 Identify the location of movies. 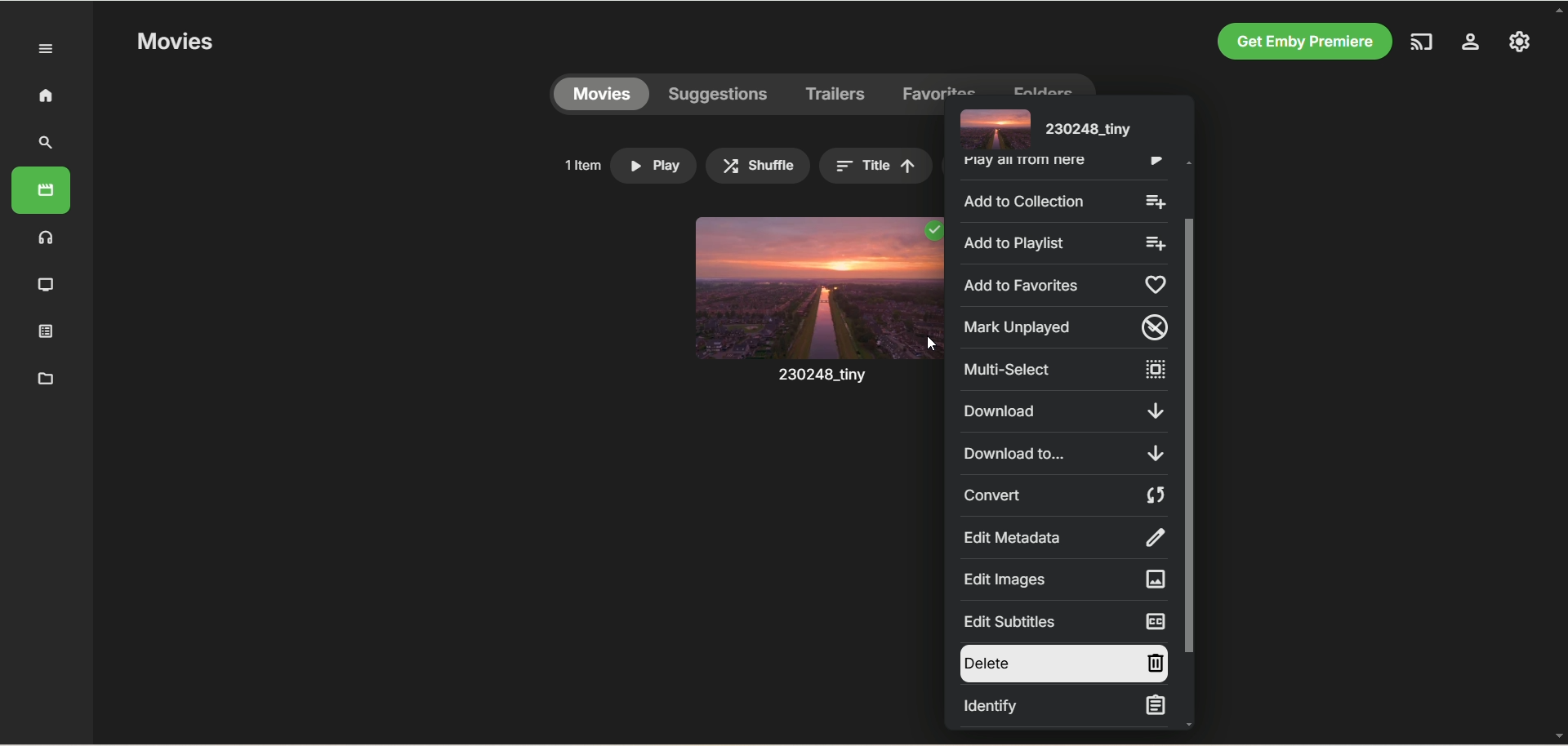
(601, 95).